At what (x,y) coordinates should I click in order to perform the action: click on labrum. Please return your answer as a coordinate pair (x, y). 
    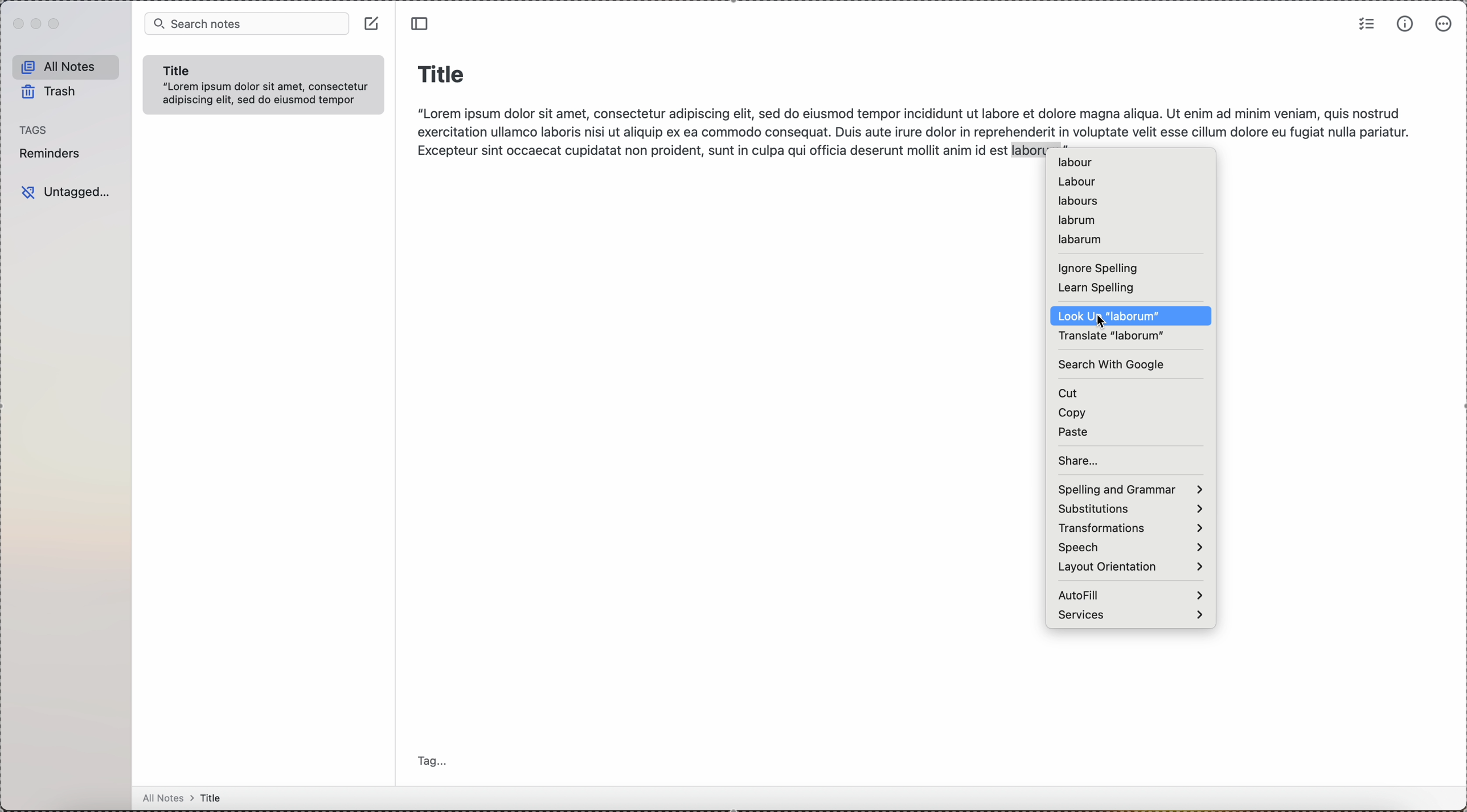
    Looking at the image, I should click on (1080, 220).